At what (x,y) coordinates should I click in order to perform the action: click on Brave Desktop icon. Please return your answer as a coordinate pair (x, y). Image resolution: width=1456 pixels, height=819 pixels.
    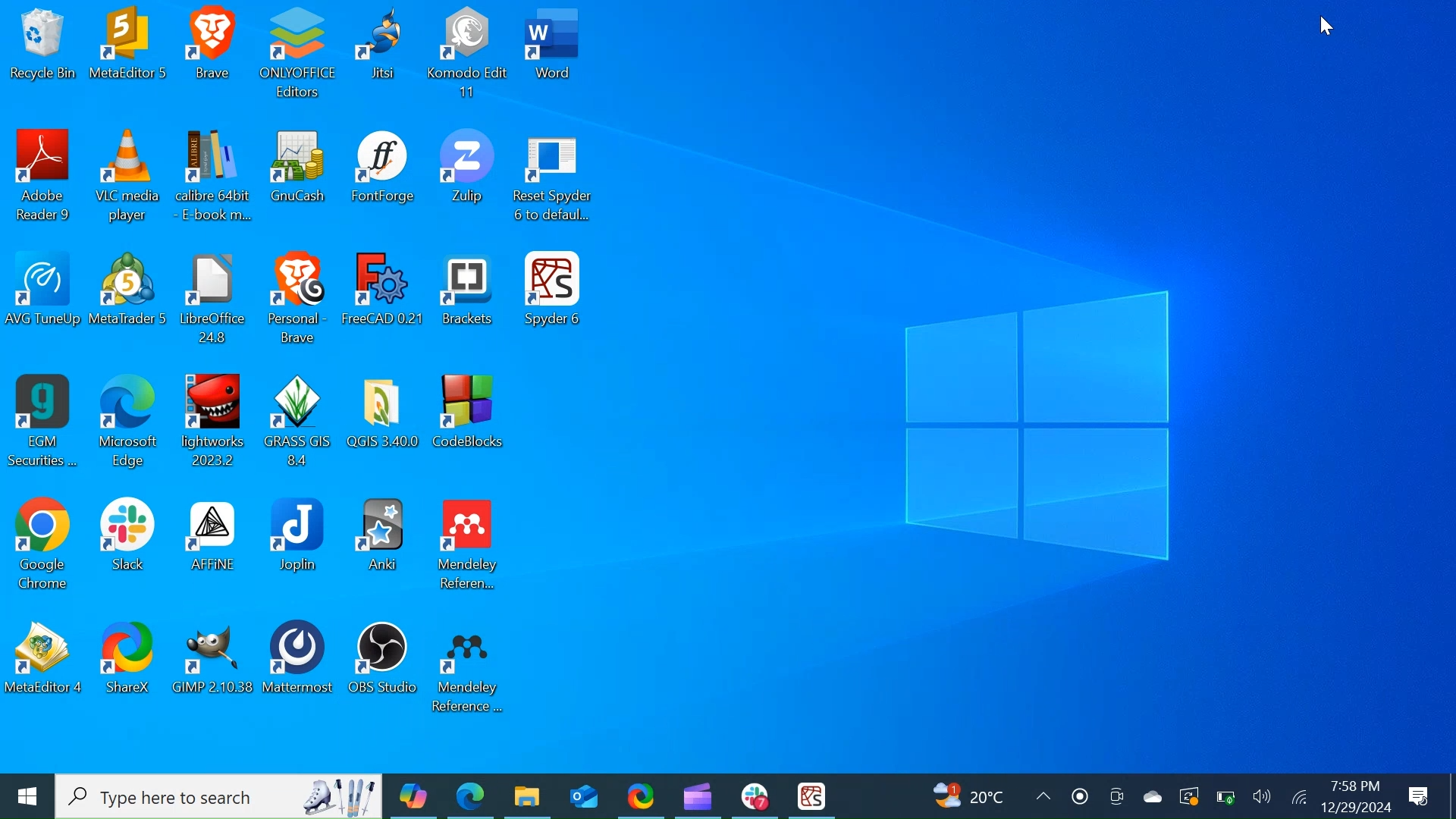
    Looking at the image, I should click on (297, 298).